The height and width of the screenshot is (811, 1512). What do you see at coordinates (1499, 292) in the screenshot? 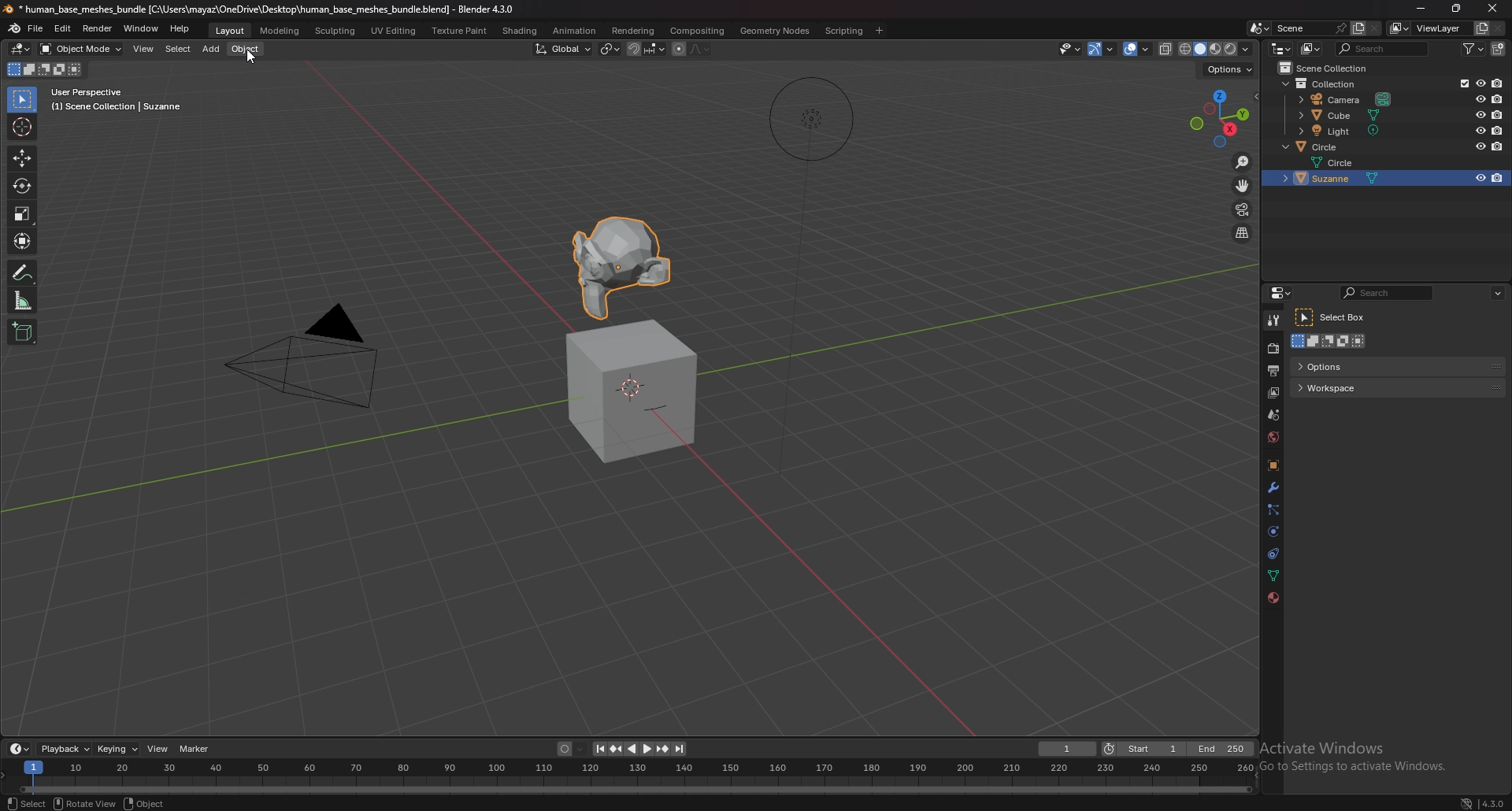
I see `options` at bounding box center [1499, 292].